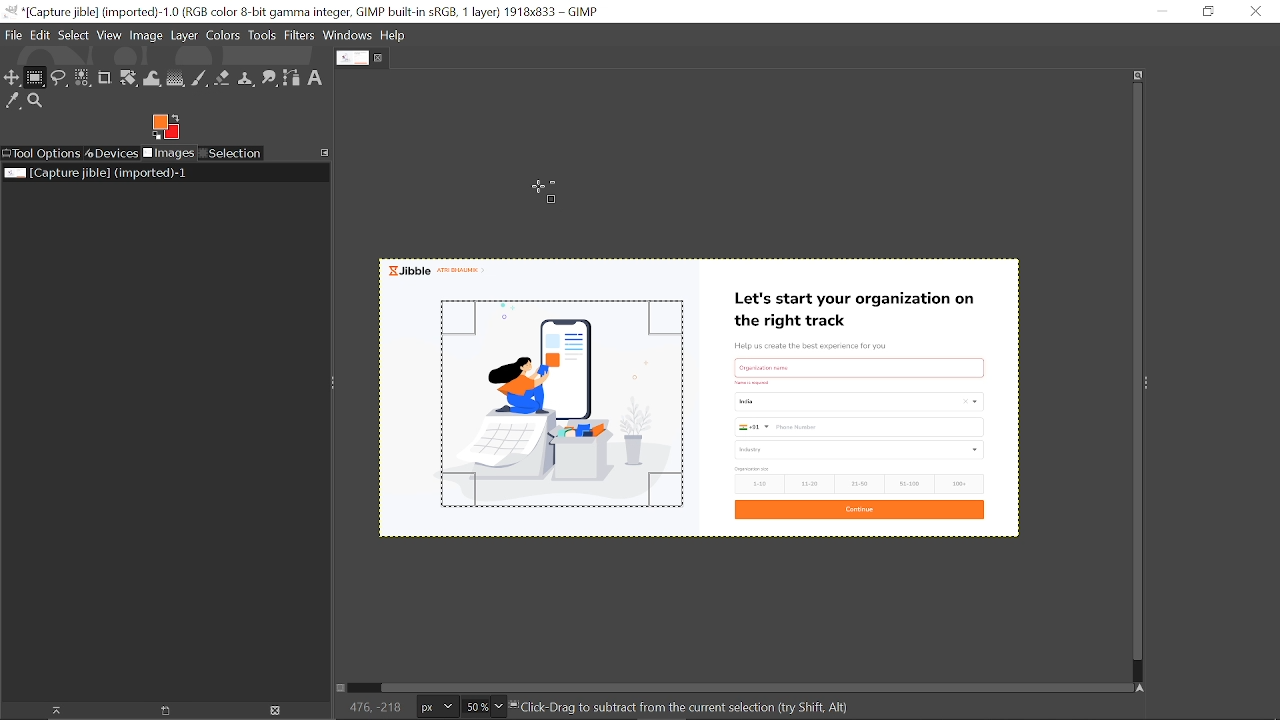  What do you see at coordinates (756, 484) in the screenshot?
I see `1-10` at bounding box center [756, 484].